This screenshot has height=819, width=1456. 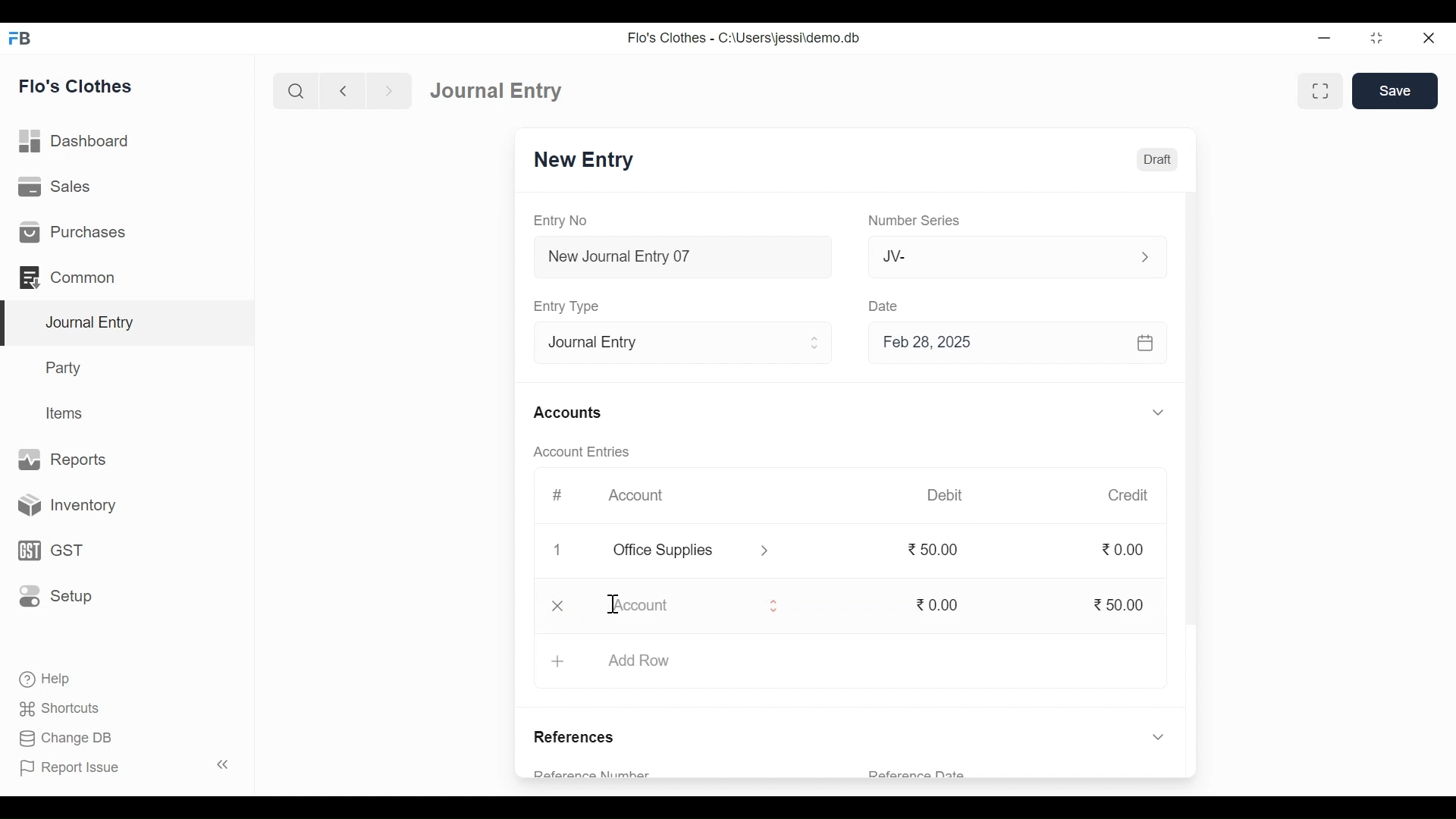 What do you see at coordinates (57, 186) in the screenshot?
I see `Sales` at bounding box center [57, 186].